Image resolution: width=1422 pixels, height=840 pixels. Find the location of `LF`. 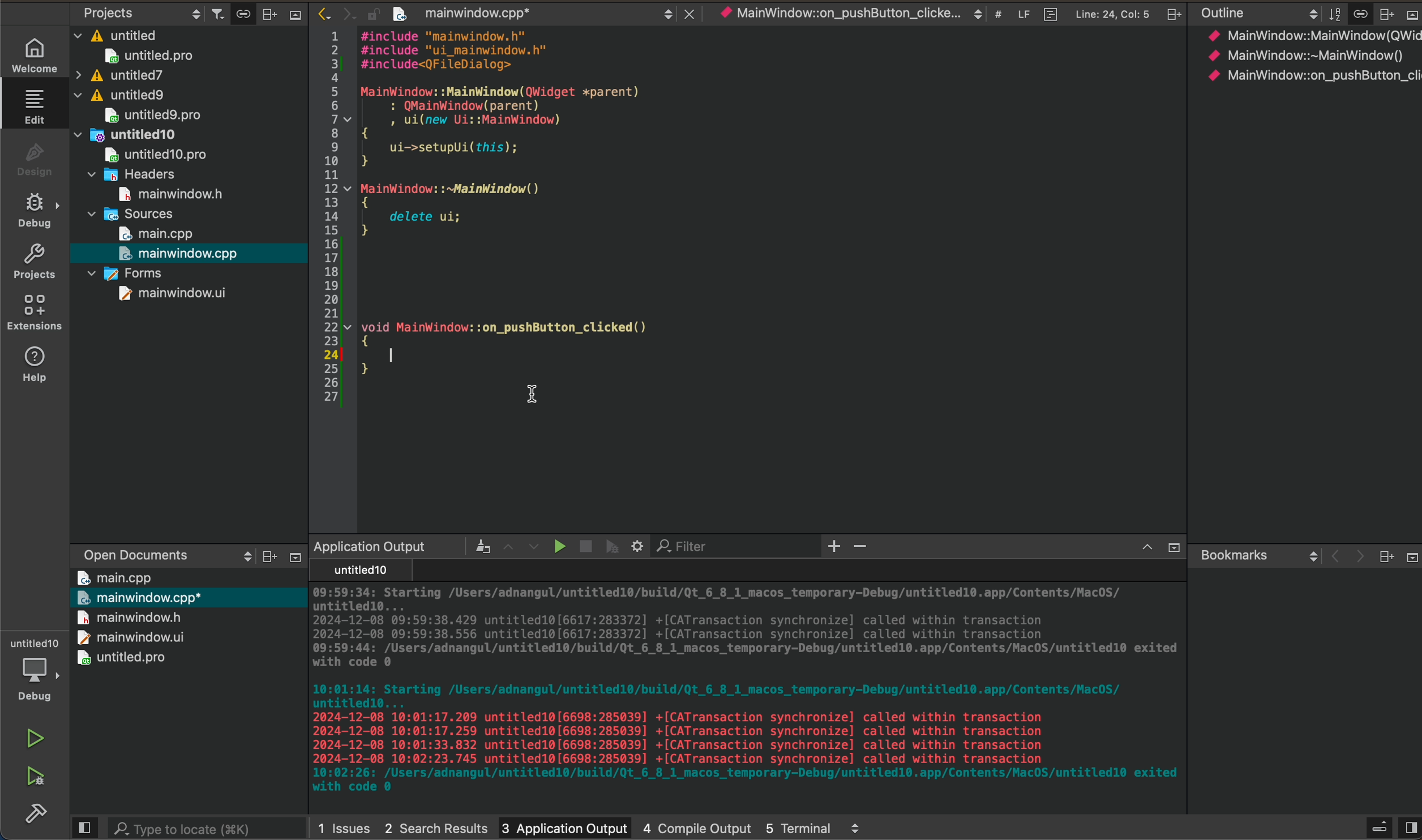

LF is located at coordinates (1020, 12).